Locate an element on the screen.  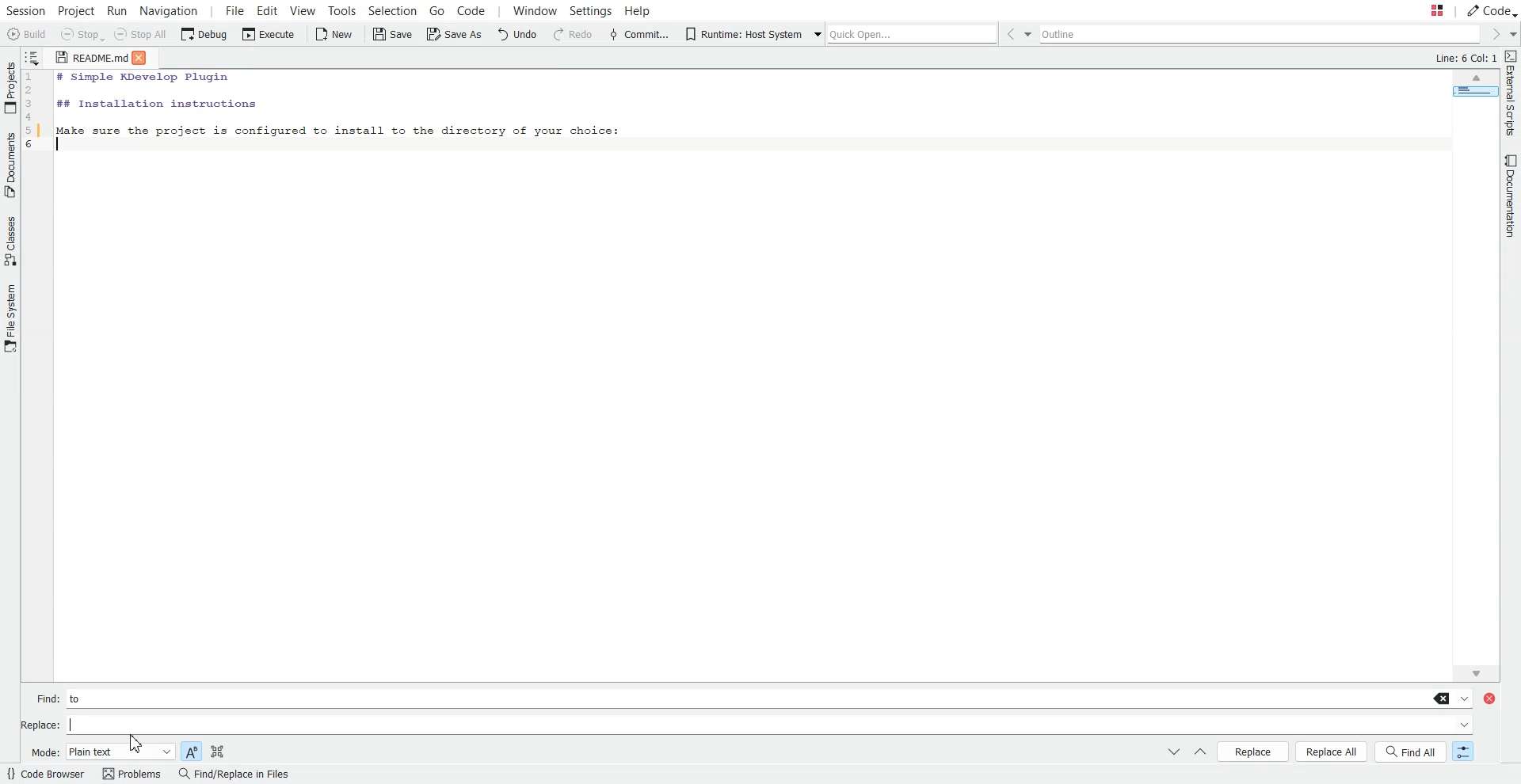
Find All is located at coordinates (1412, 752).